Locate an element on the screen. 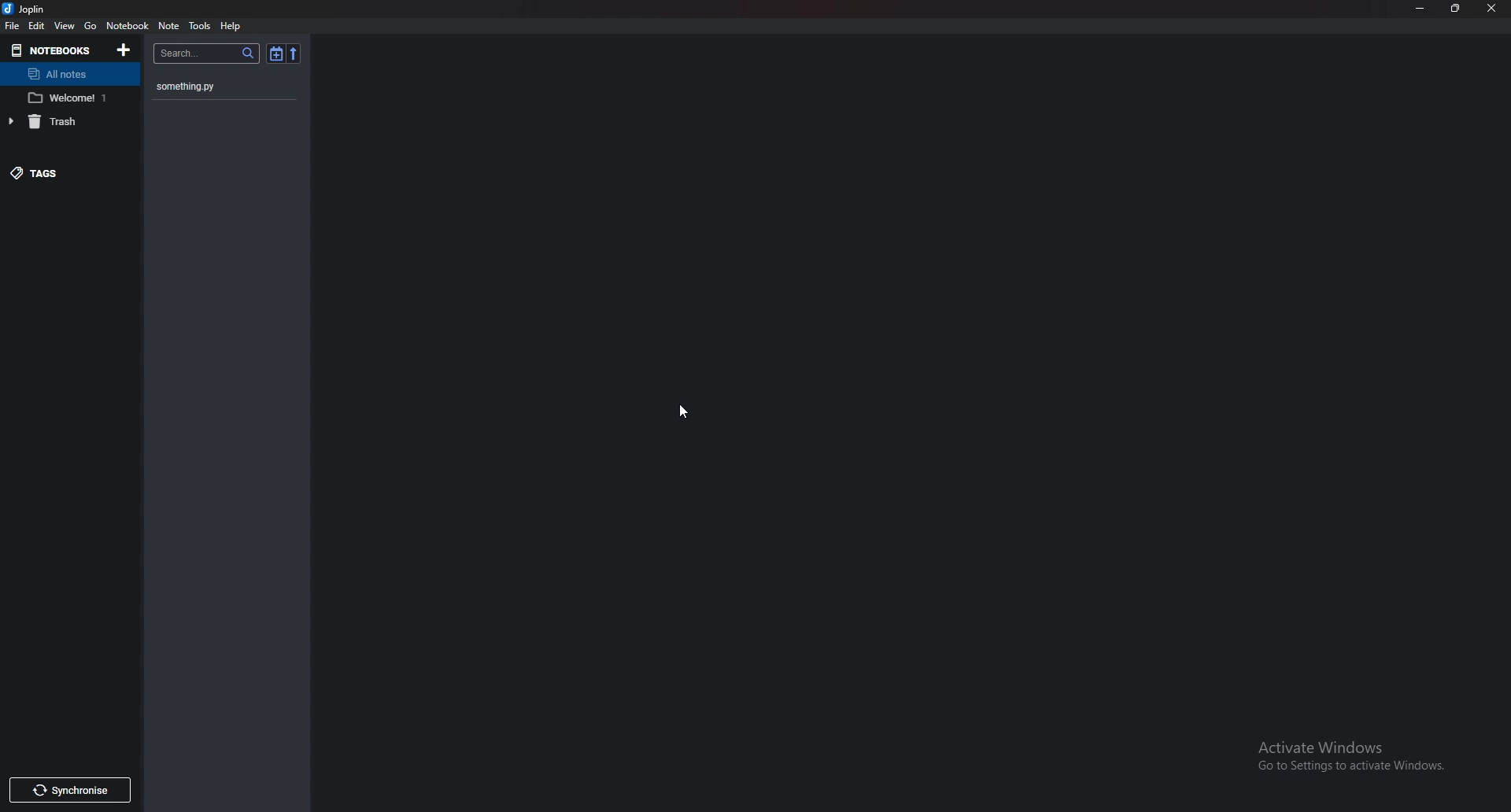 This screenshot has height=812, width=1511. Resize is located at coordinates (1453, 9).